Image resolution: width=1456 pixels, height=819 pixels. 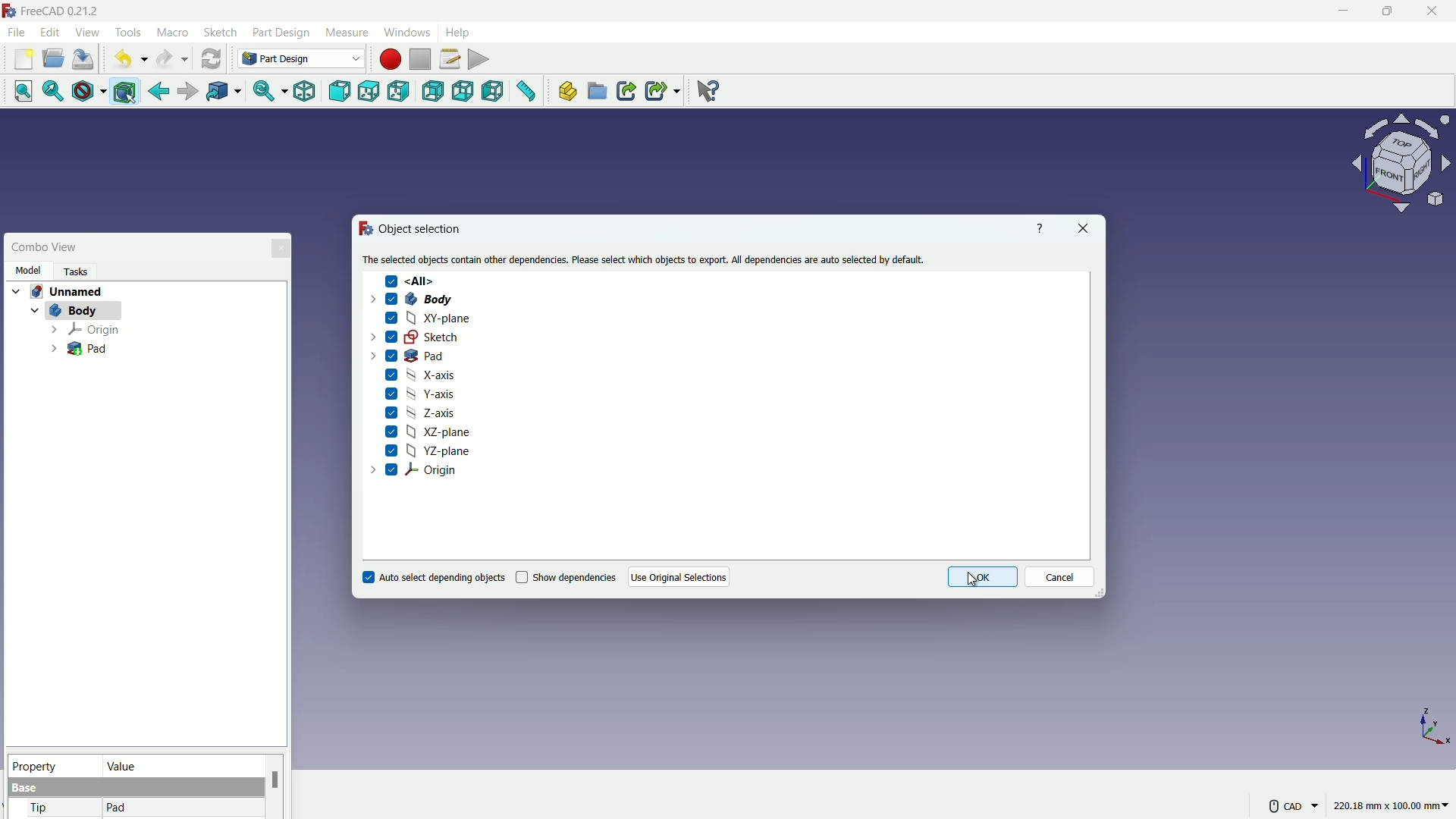 I want to click on fit all, so click(x=18, y=90).